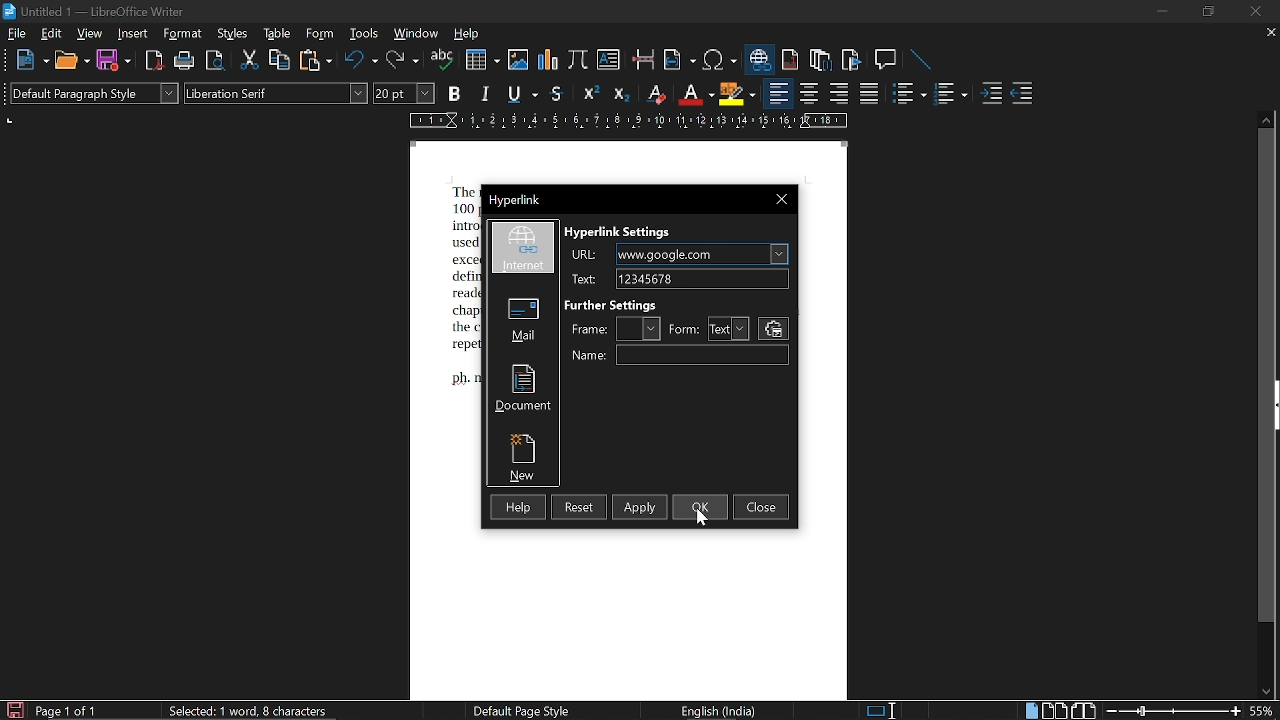  Describe the element at coordinates (363, 35) in the screenshot. I see `tools` at that location.